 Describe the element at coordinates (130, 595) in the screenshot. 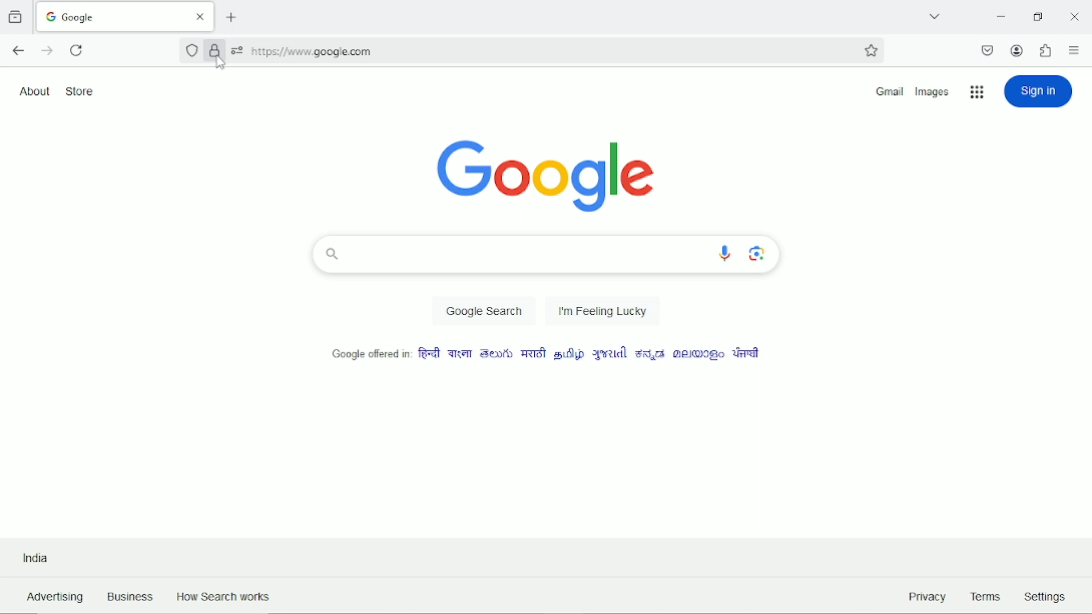

I see `Business` at that location.